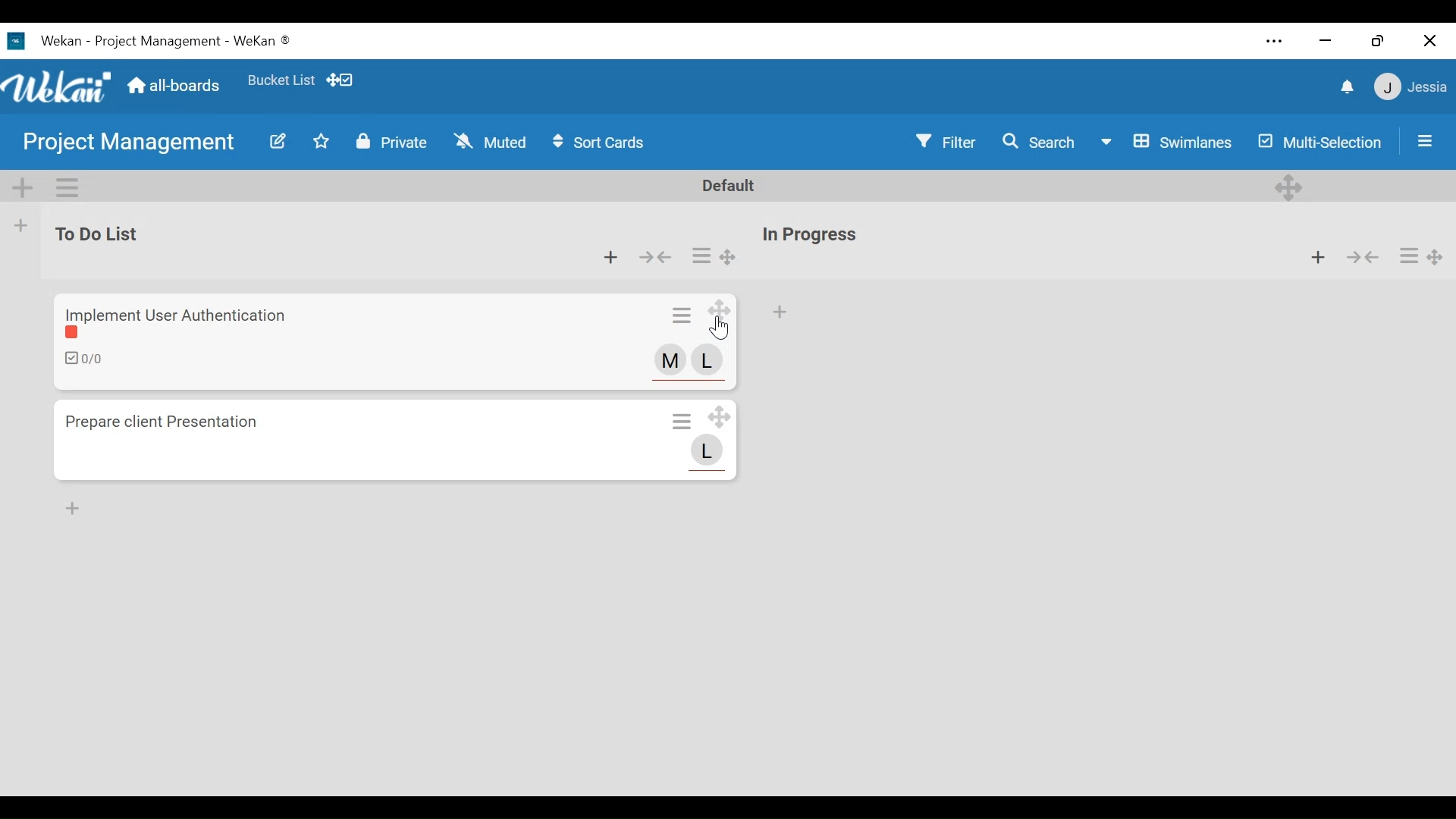 The width and height of the screenshot is (1456, 819). I want to click on List Title, so click(811, 235).